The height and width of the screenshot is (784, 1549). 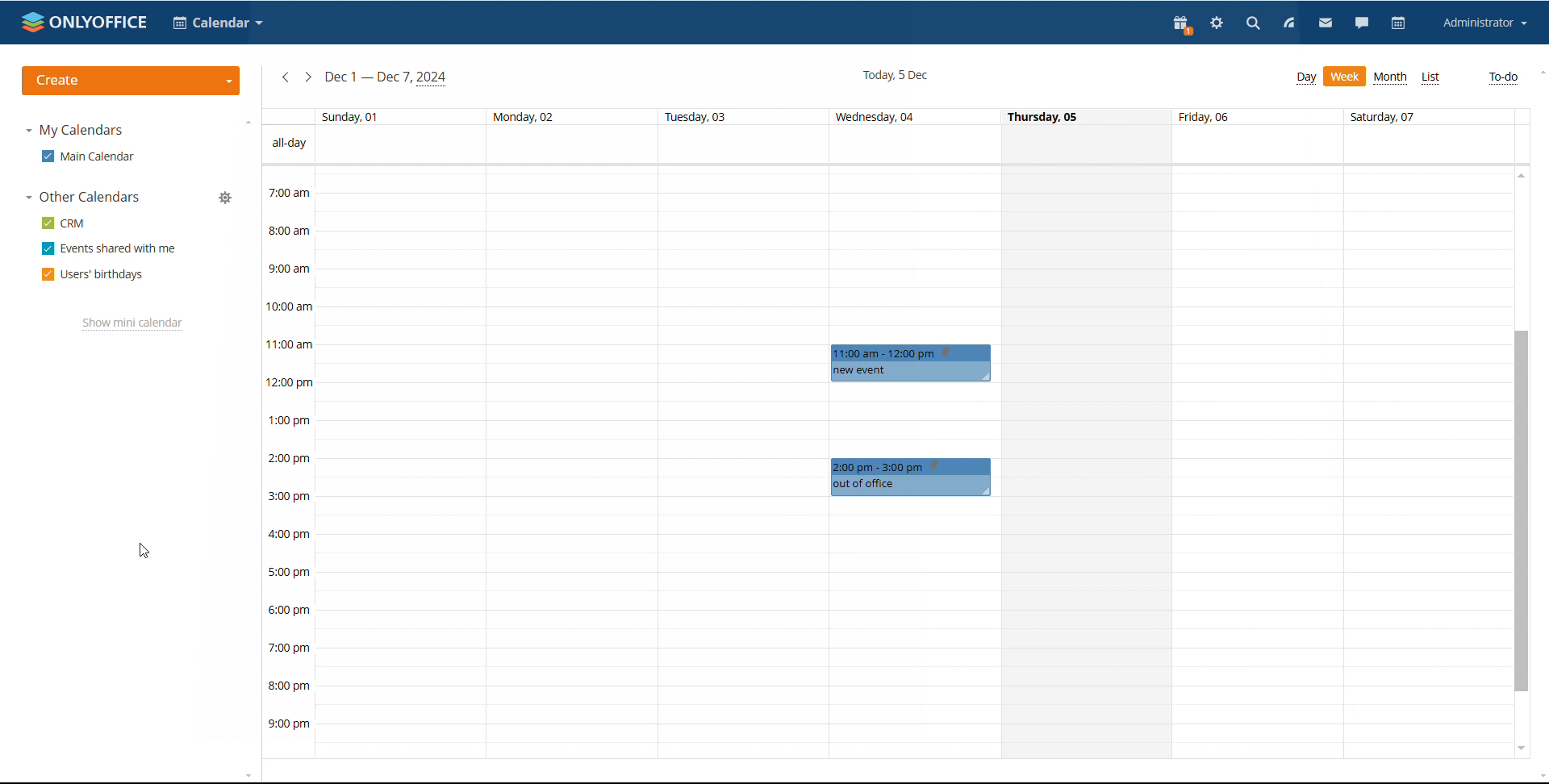 I want to click on list view, so click(x=1431, y=78).